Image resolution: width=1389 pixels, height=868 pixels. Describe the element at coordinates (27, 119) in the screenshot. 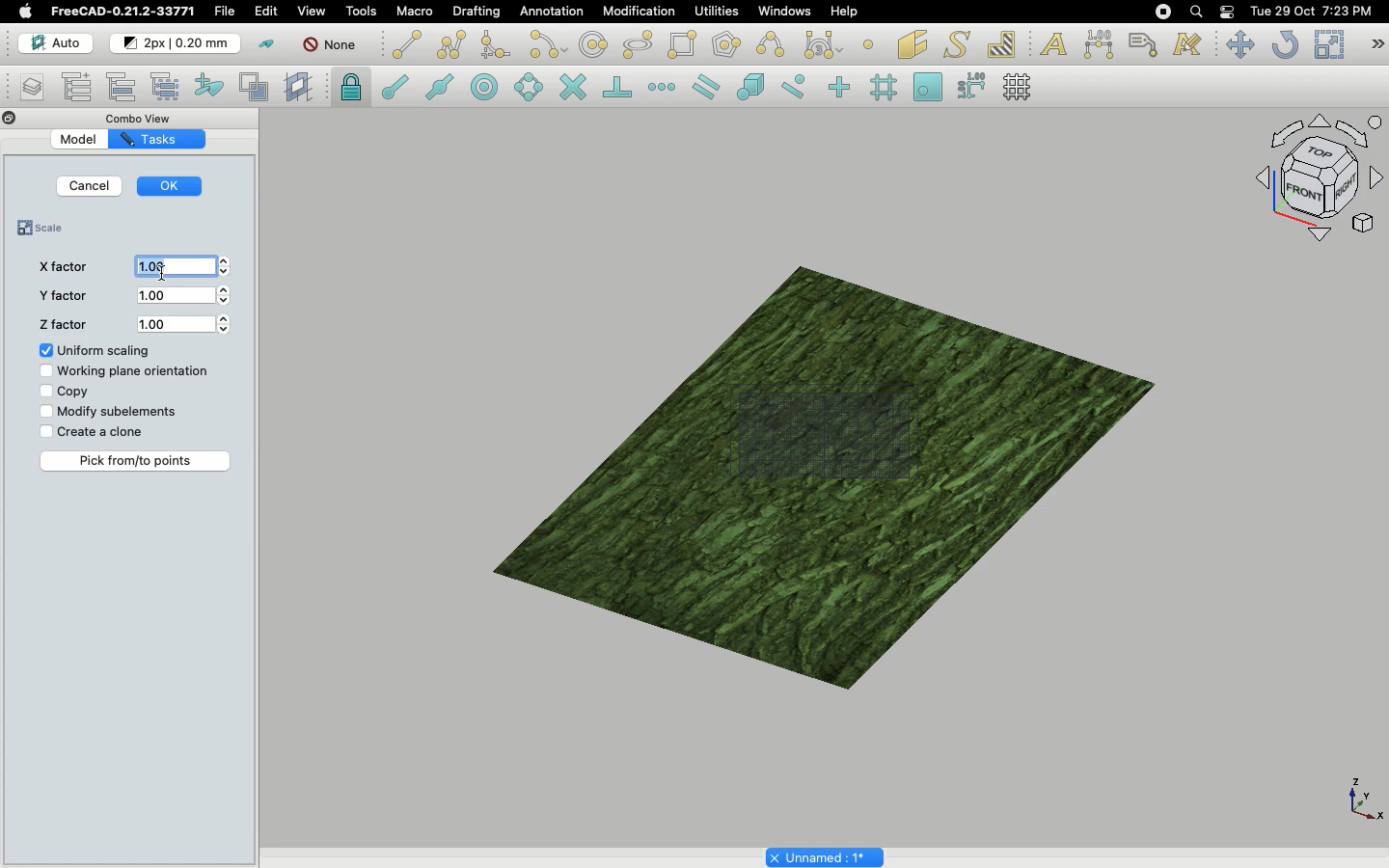

I see `Collapse` at that location.